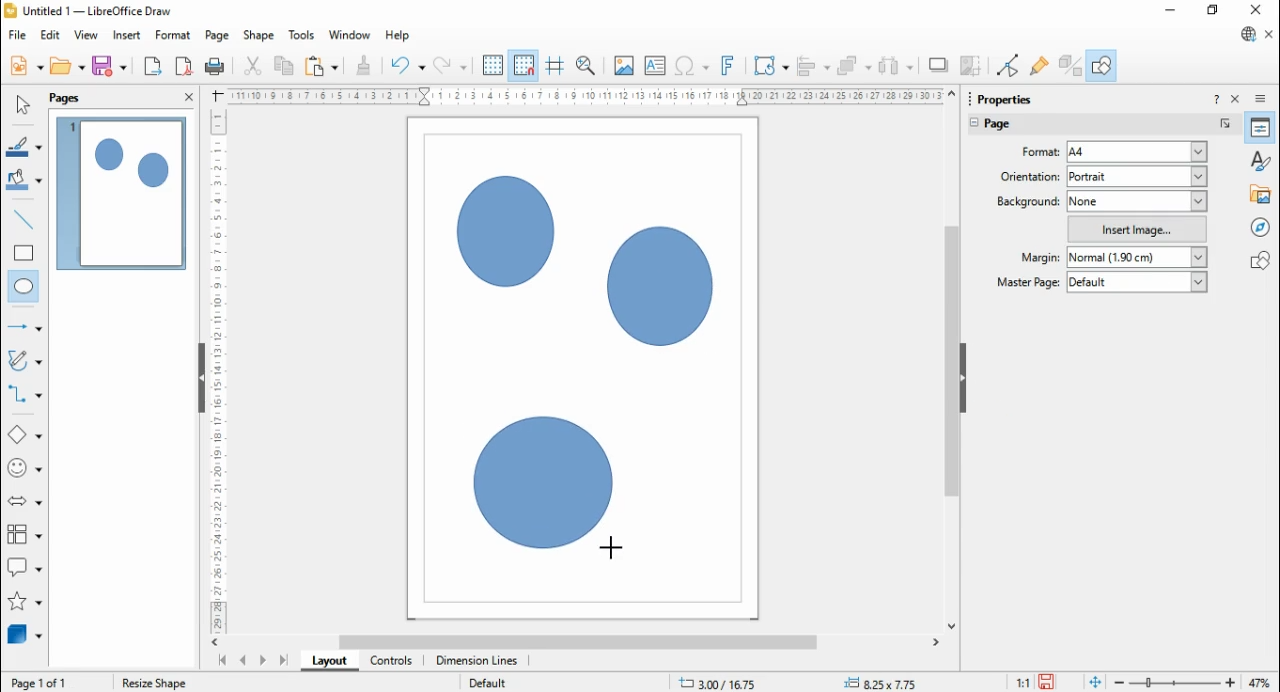  I want to click on shapes, so click(1263, 259).